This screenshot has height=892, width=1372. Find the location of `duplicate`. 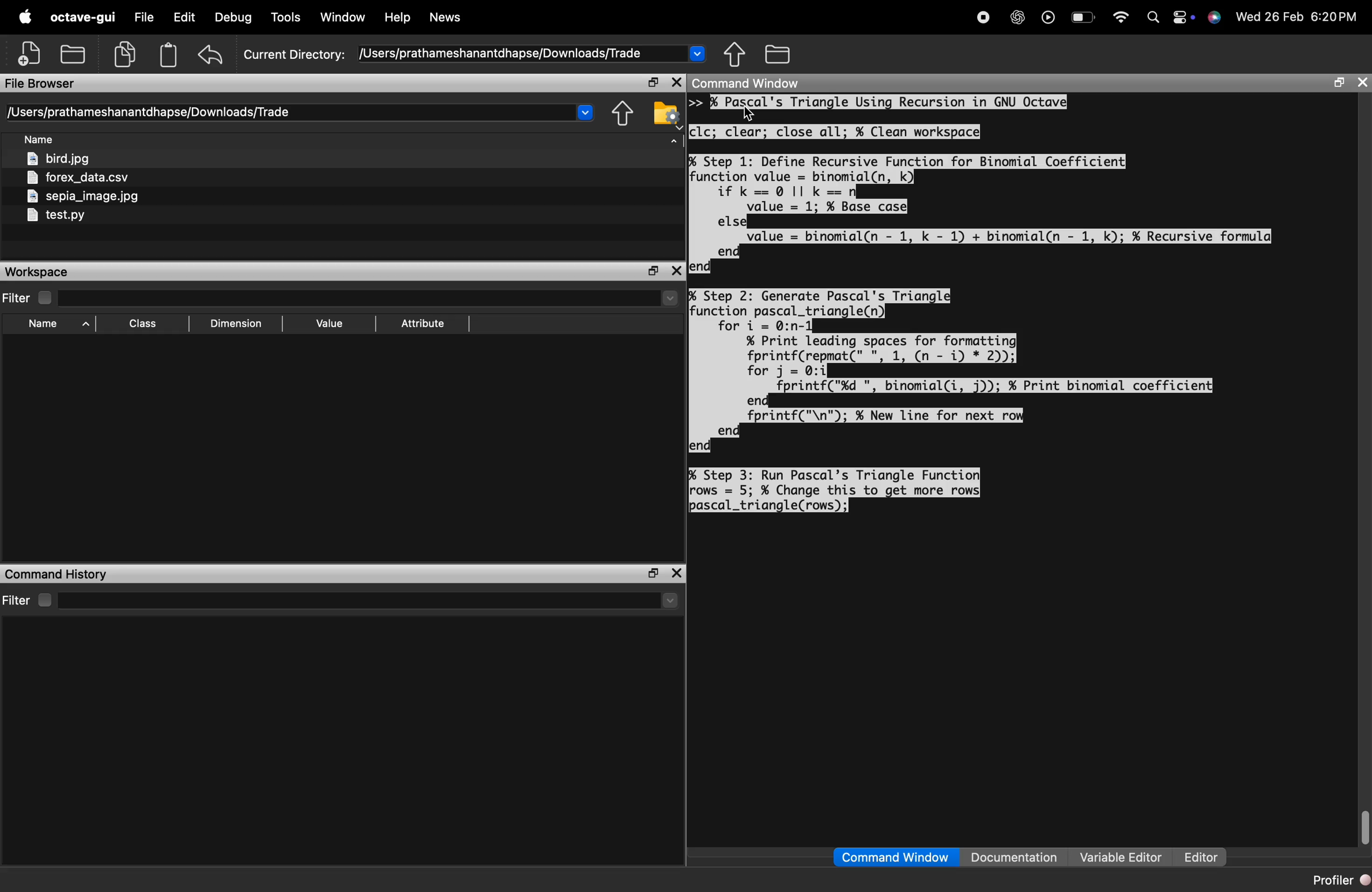

duplicate is located at coordinates (125, 54).